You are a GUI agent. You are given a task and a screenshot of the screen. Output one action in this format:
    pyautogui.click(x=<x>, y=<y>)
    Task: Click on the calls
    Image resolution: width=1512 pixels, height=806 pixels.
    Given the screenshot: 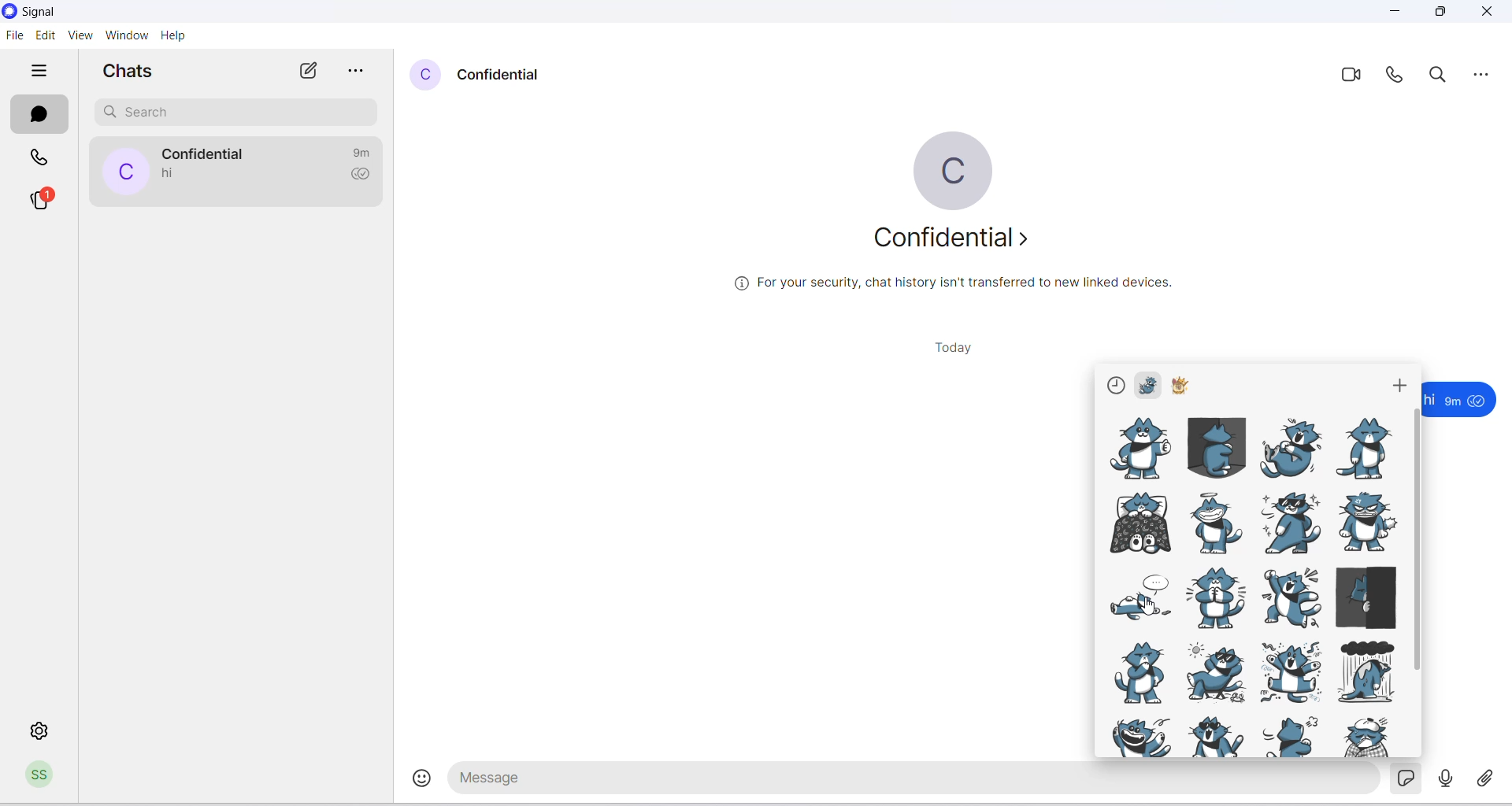 What is the action you would take?
    pyautogui.click(x=42, y=155)
    